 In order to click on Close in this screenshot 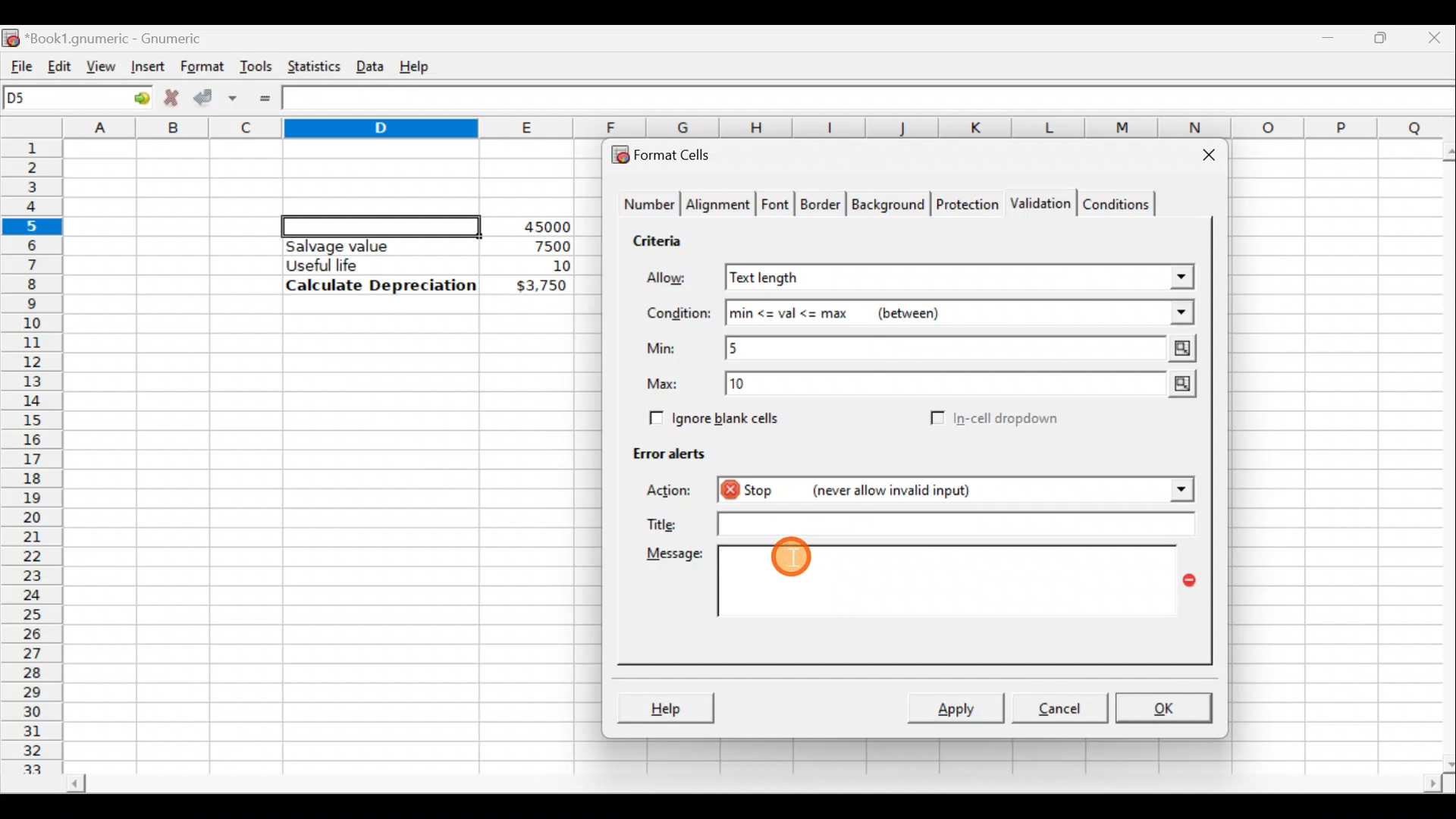, I will do `click(1202, 158)`.